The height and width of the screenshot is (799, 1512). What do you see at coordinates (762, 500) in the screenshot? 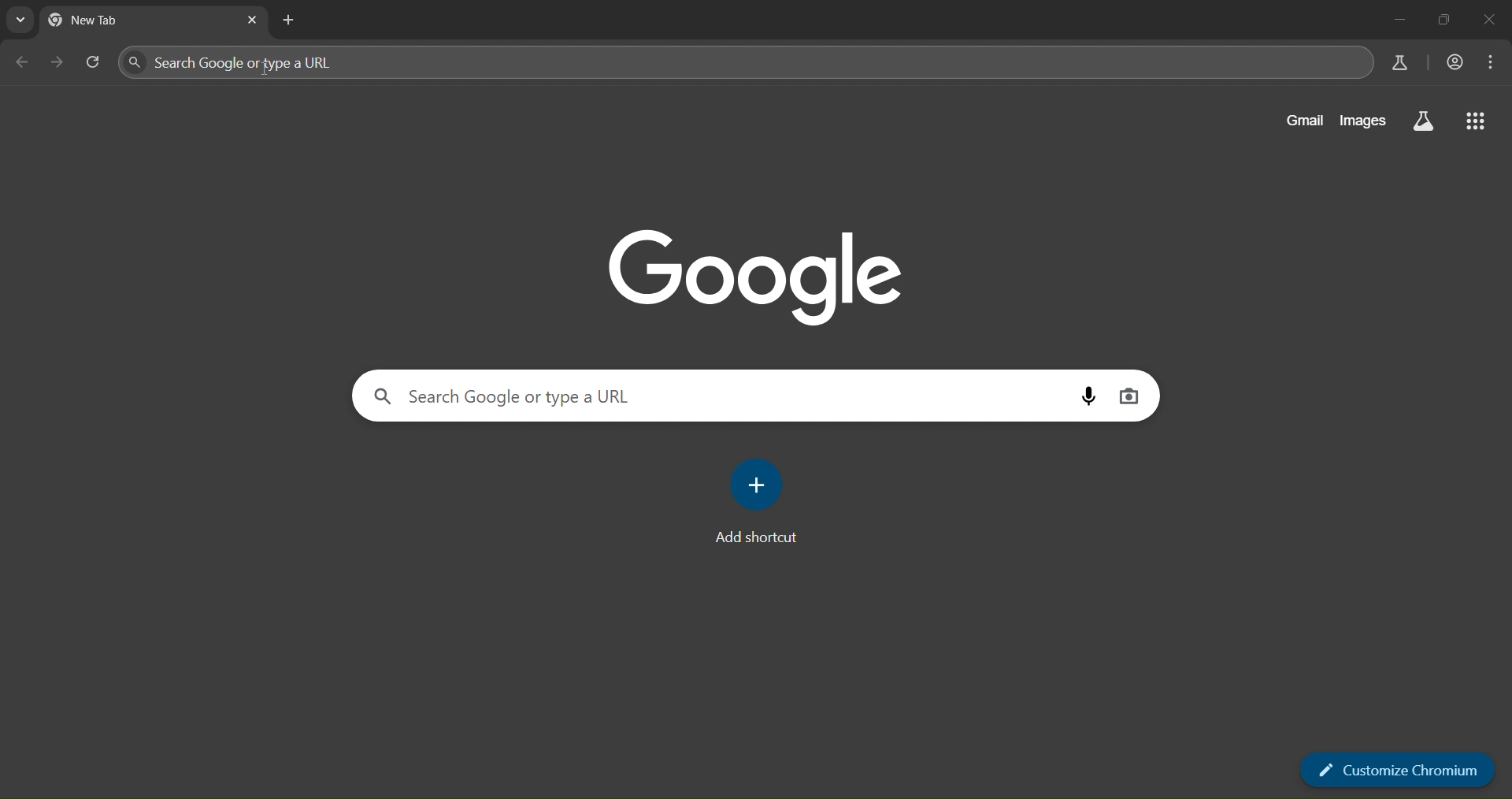
I see `add shortcut` at bounding box center [762, 500].